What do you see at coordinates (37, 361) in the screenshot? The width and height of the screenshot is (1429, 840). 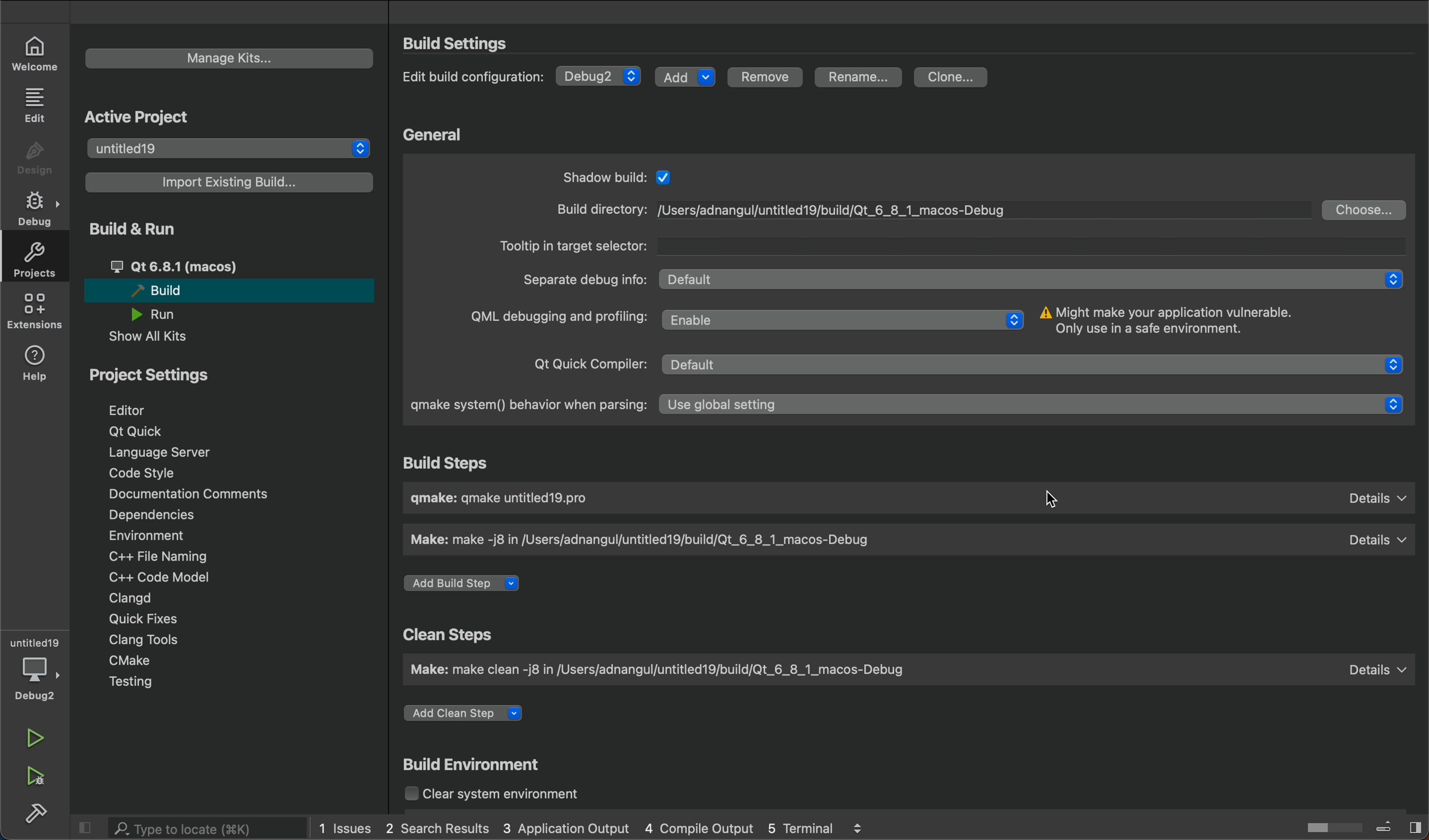 I see `help` at bounding box center [37, 361].